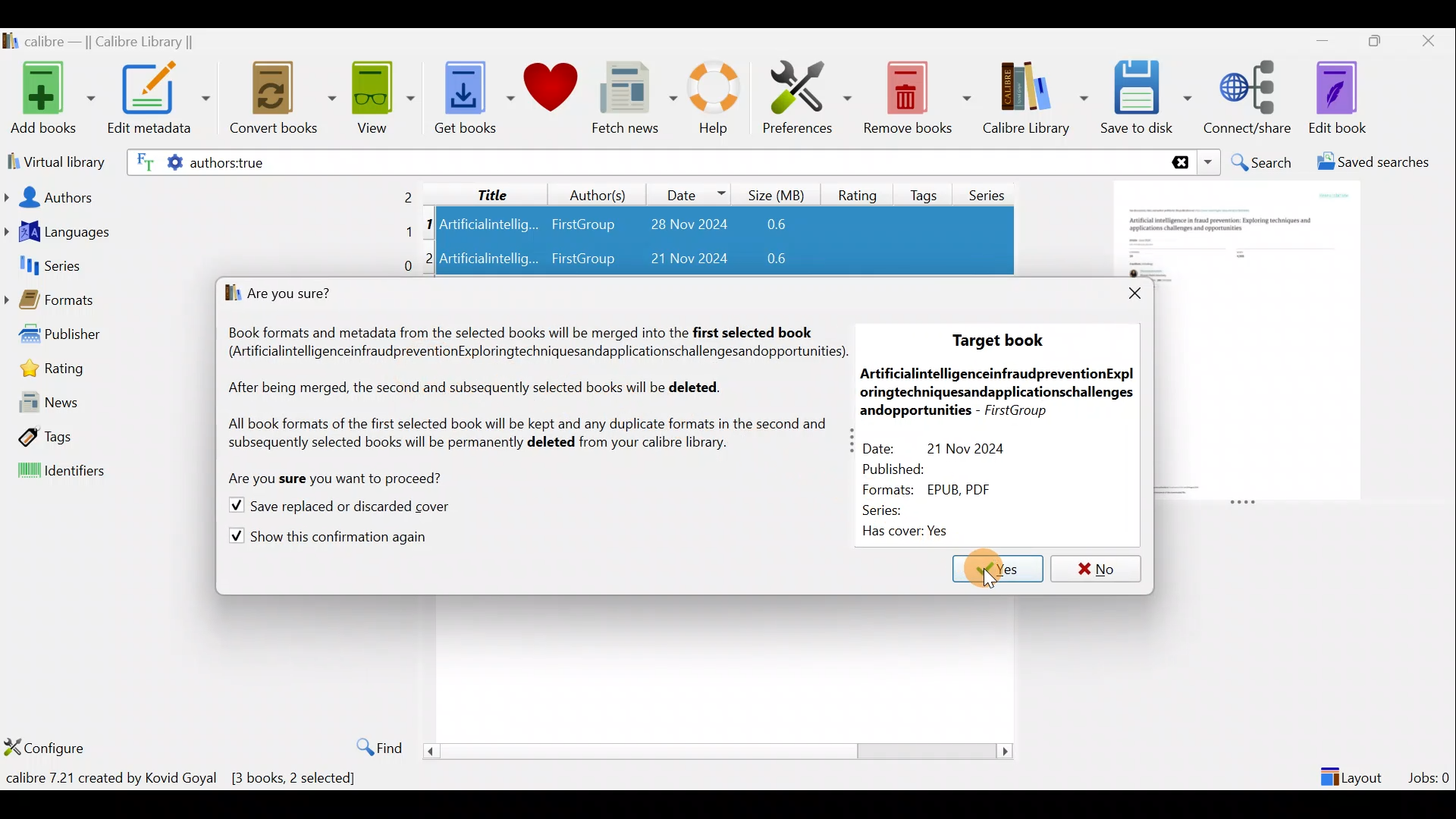  I want to click on 2, so click(431, 257).